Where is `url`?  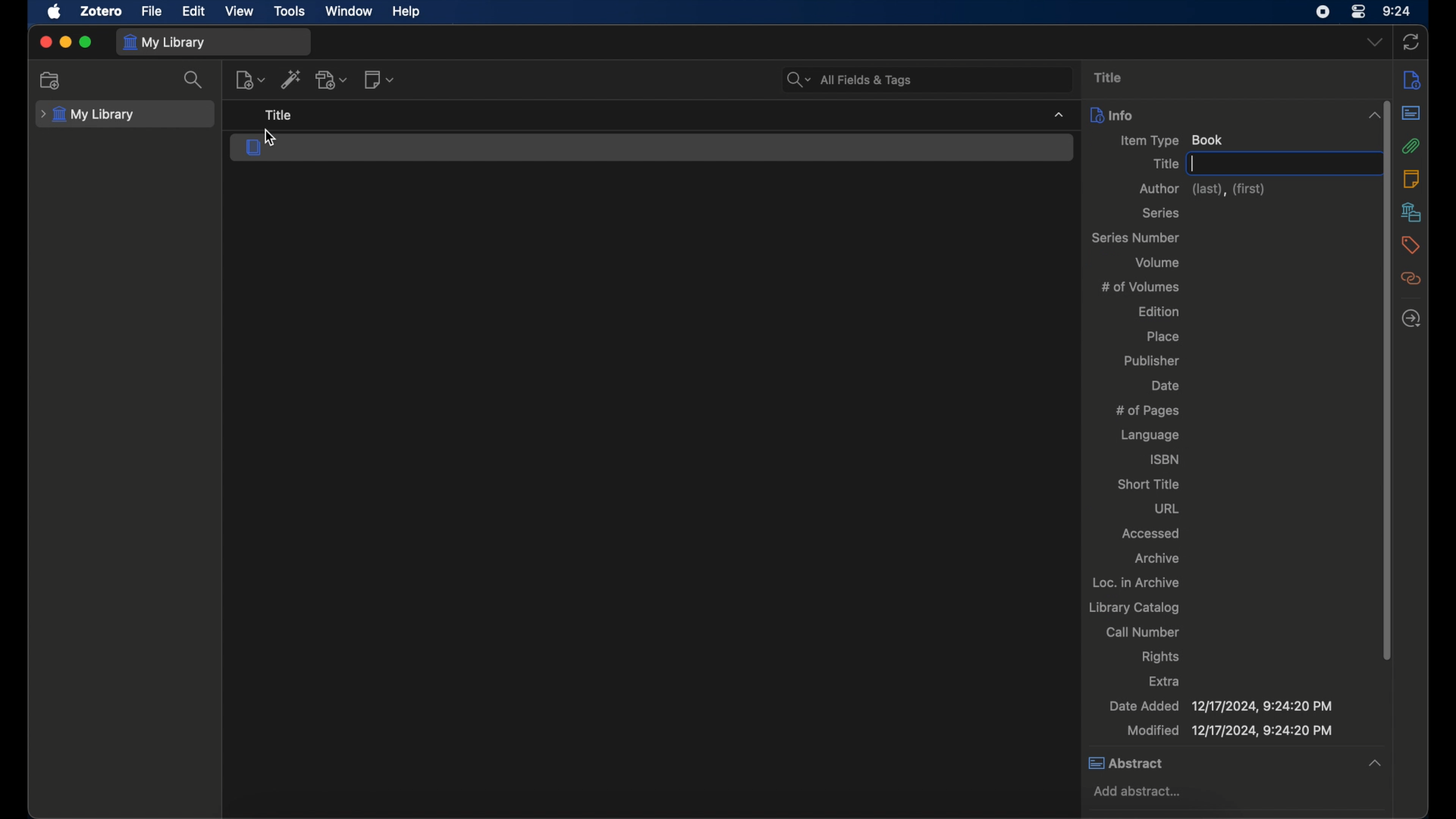 url is located at coordinates (1166, 509).